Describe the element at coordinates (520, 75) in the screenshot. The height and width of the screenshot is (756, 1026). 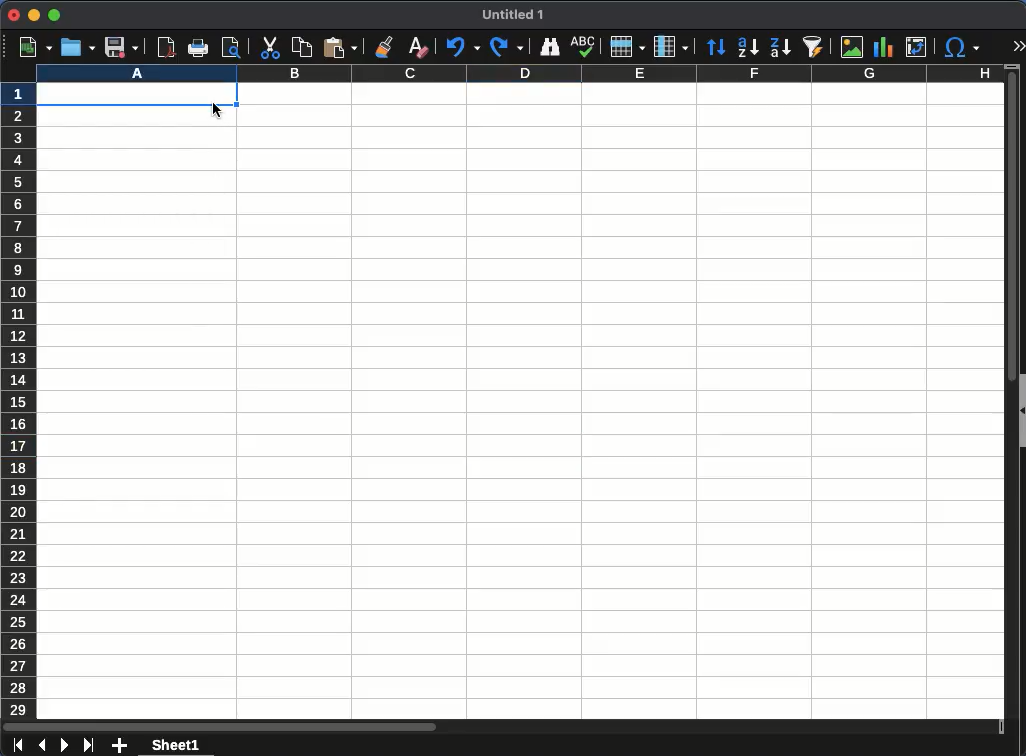
I see `column` at that location.